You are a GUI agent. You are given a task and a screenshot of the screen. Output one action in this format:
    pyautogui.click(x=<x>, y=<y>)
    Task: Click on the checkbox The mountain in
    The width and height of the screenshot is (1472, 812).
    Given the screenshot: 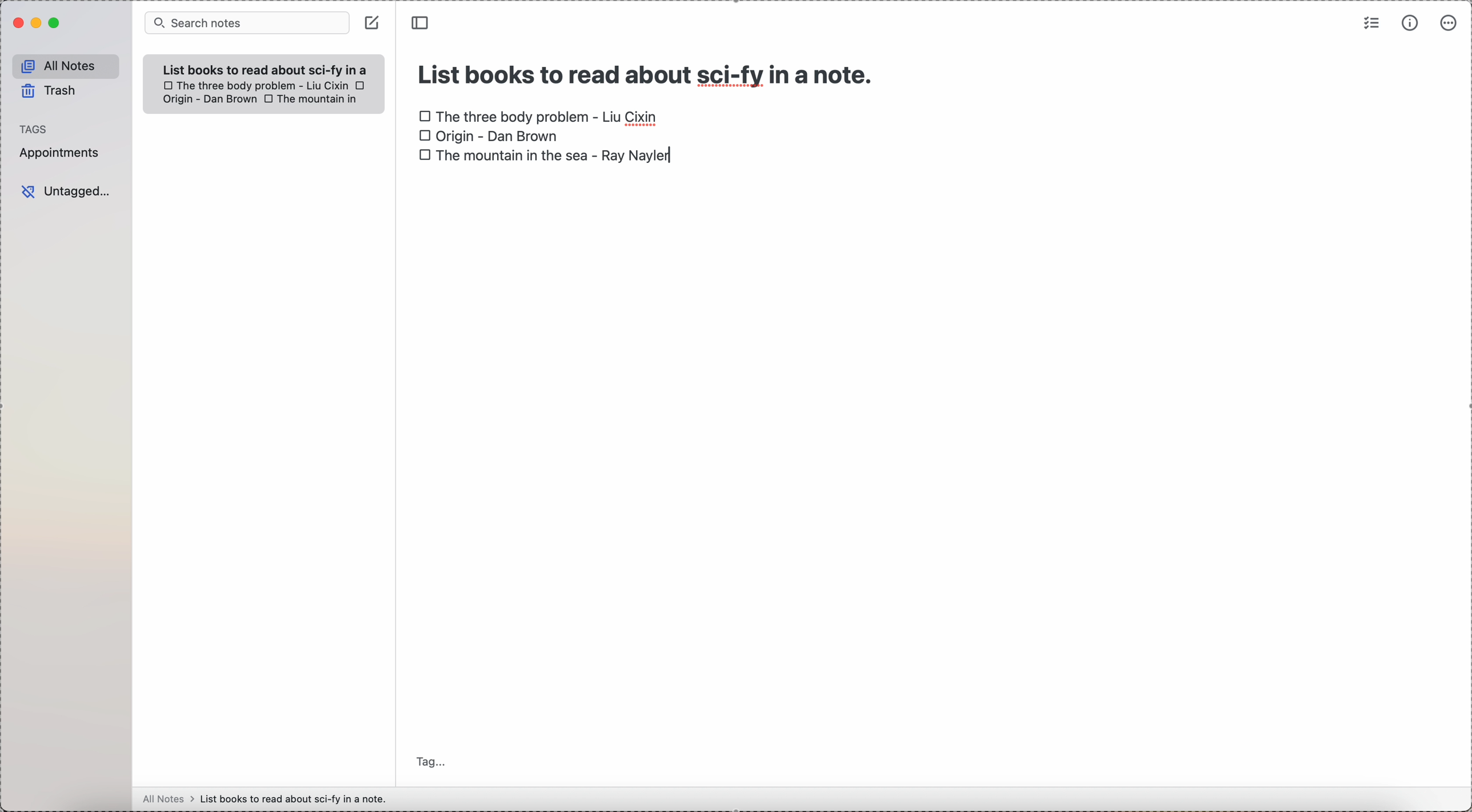 What is the action you would take?
    pyautogui.click(x=312, y=100)
    